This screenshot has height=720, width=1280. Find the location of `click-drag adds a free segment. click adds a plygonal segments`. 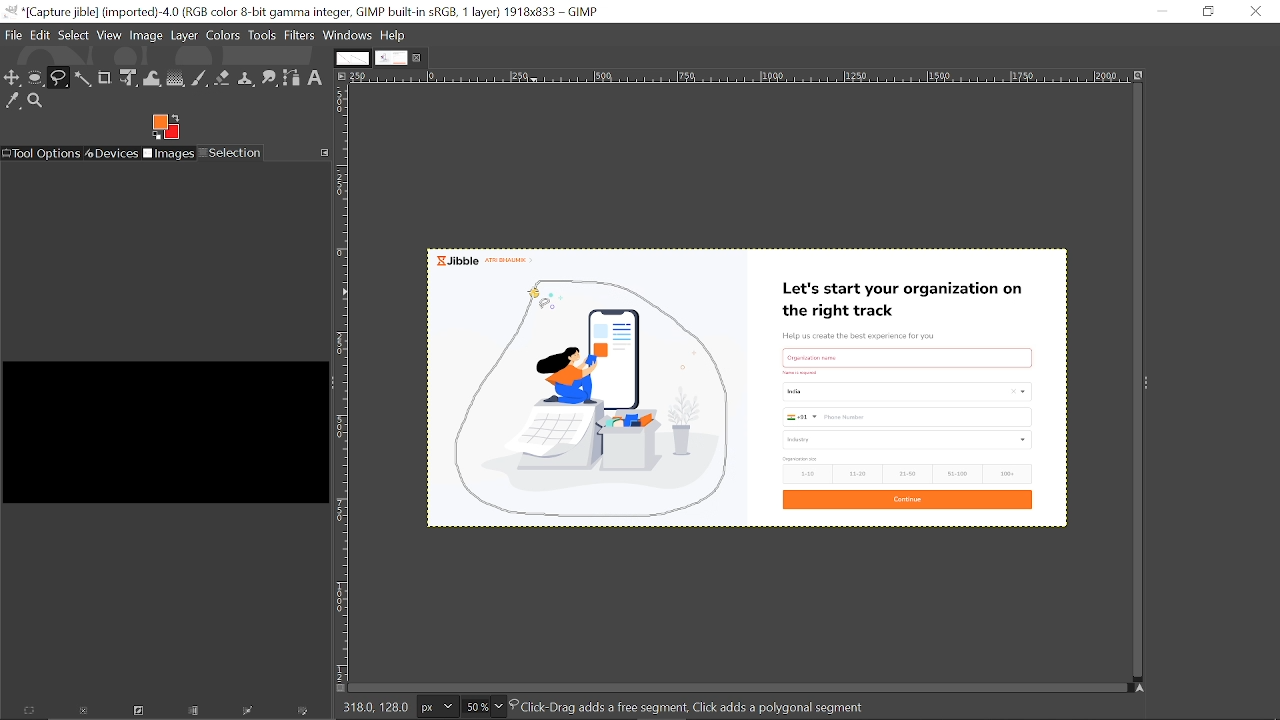

click-drag adds a free segment. click adds a plygonal segments is located at coordinates (694, 706).